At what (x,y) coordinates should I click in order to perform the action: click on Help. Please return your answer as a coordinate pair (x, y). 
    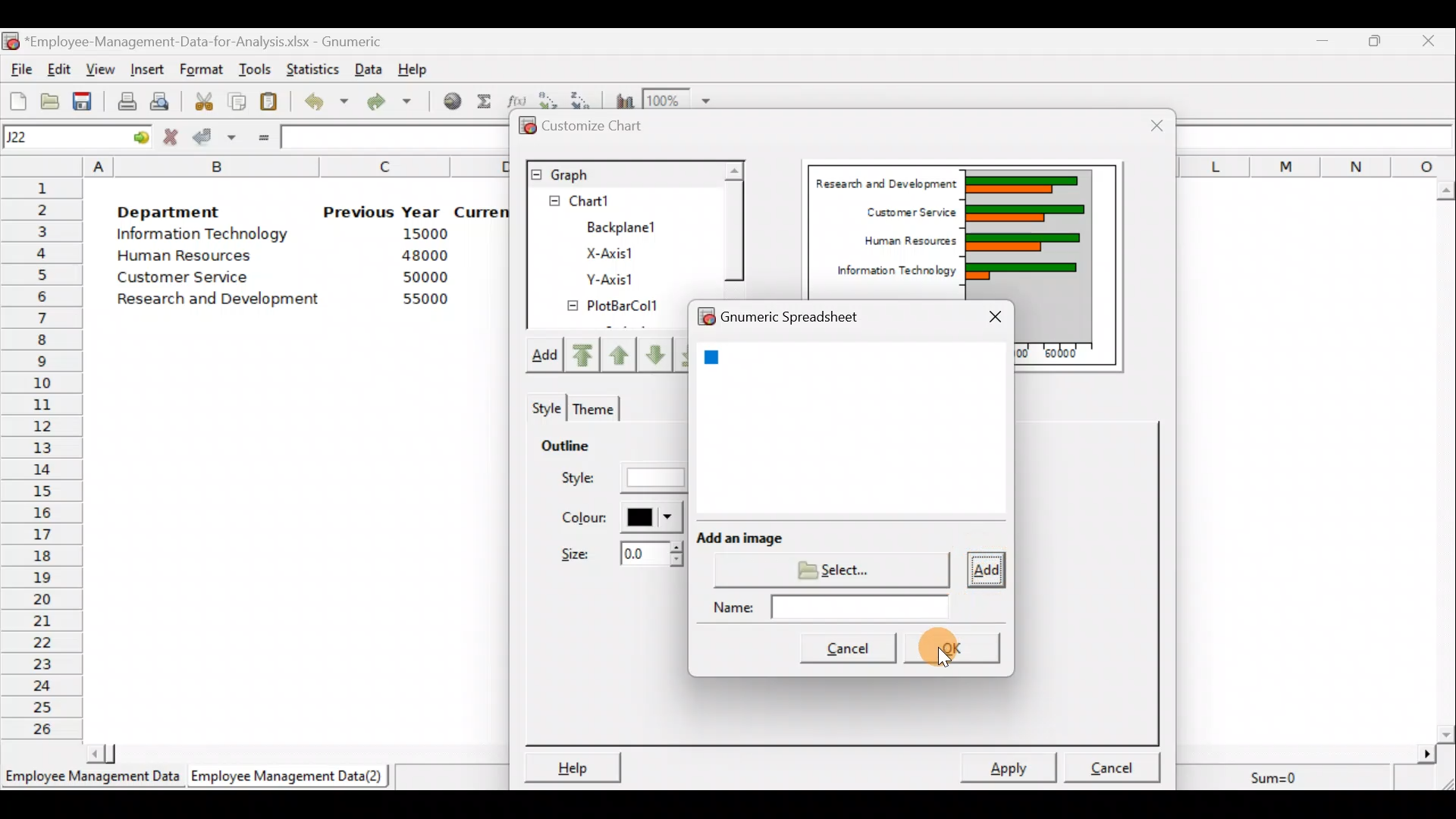
    Looking at the image, I should click on (413, 66).